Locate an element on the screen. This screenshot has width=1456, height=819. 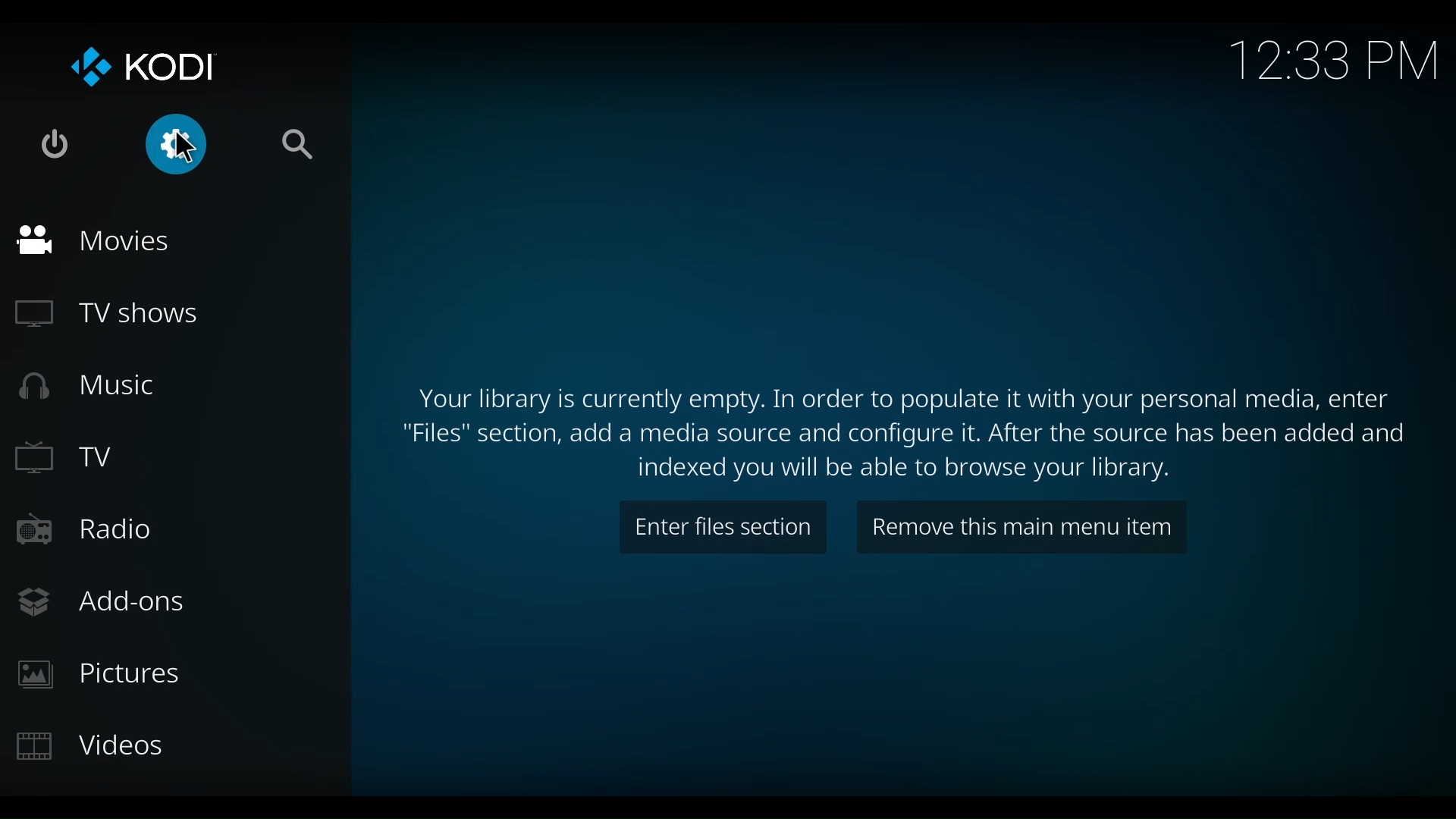
Remove this main menu item is located at coordinates (1020, 525).